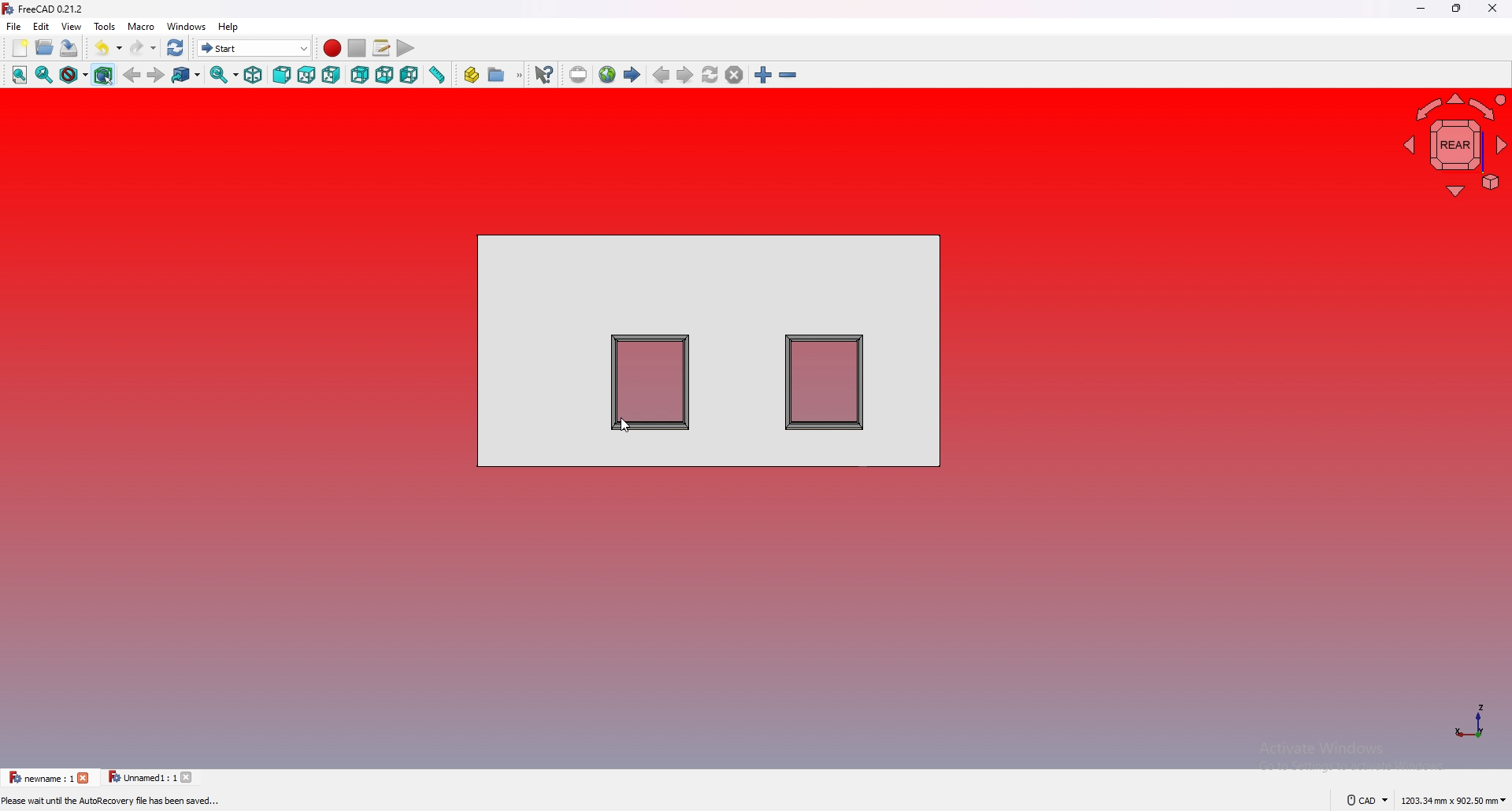  What do you see at coordinates (632, 75) in the screenshot?
I see `first page` at bounding box center [632, 75].